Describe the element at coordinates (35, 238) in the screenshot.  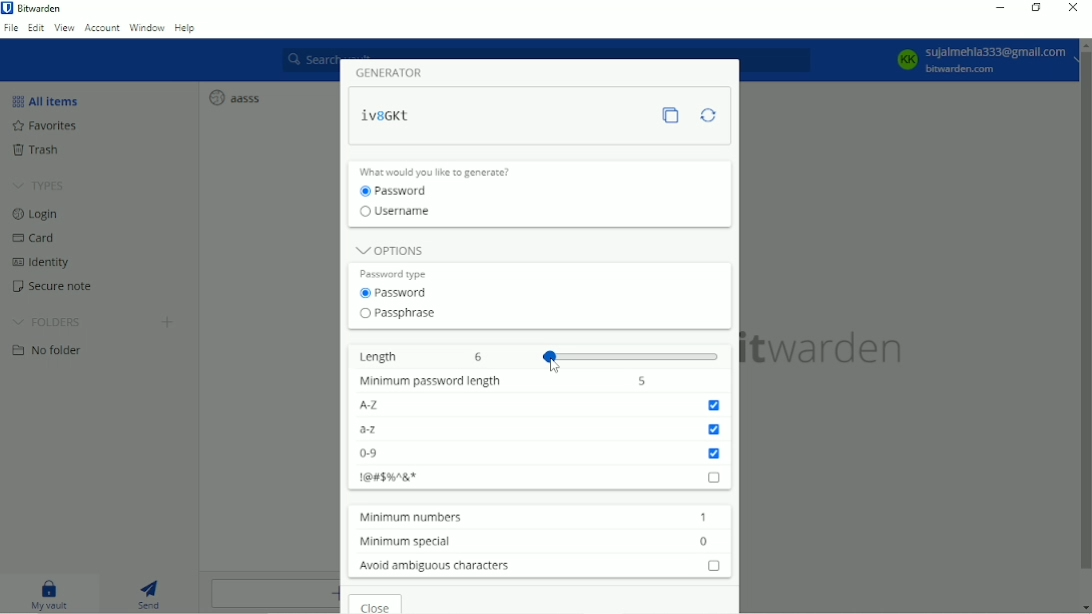
I see `Card` at that location.